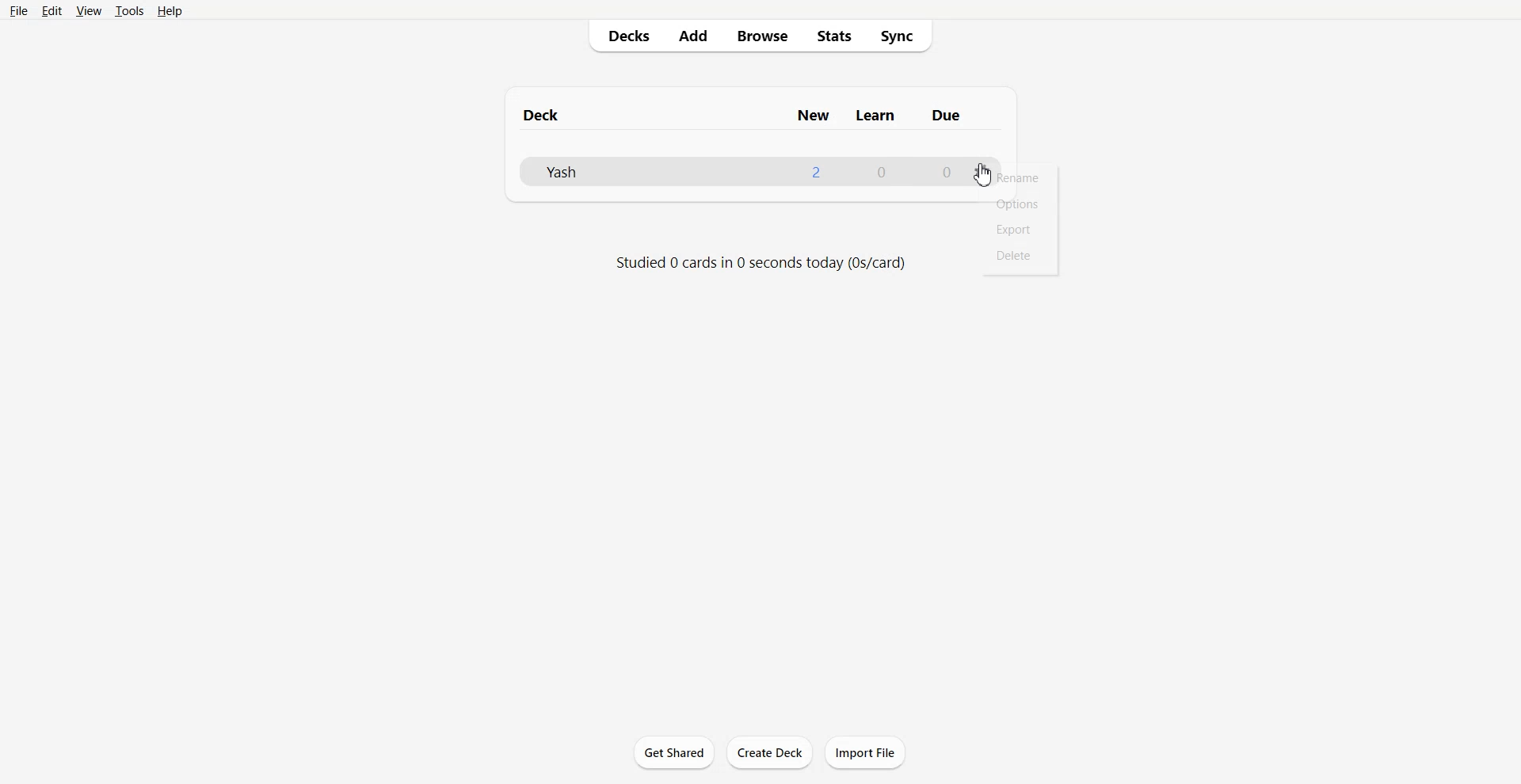 The width and height of the screenshot is (1521, 784). What do you see at coordinates (983, 175) in the screenshot?
I see `Cursor` at bounding box center [983, 175].